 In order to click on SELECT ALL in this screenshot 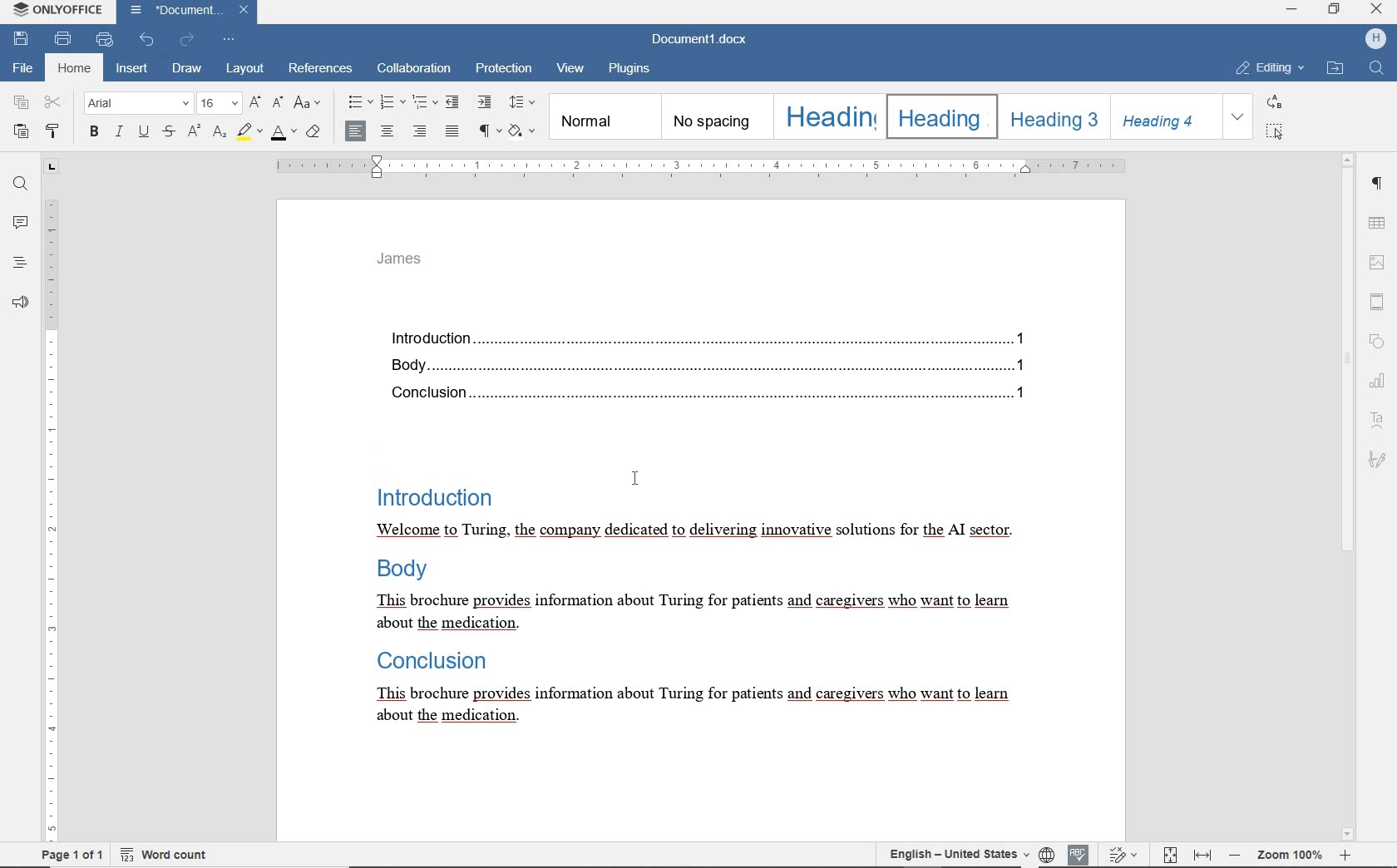, I will do `click(1276, 131)`.